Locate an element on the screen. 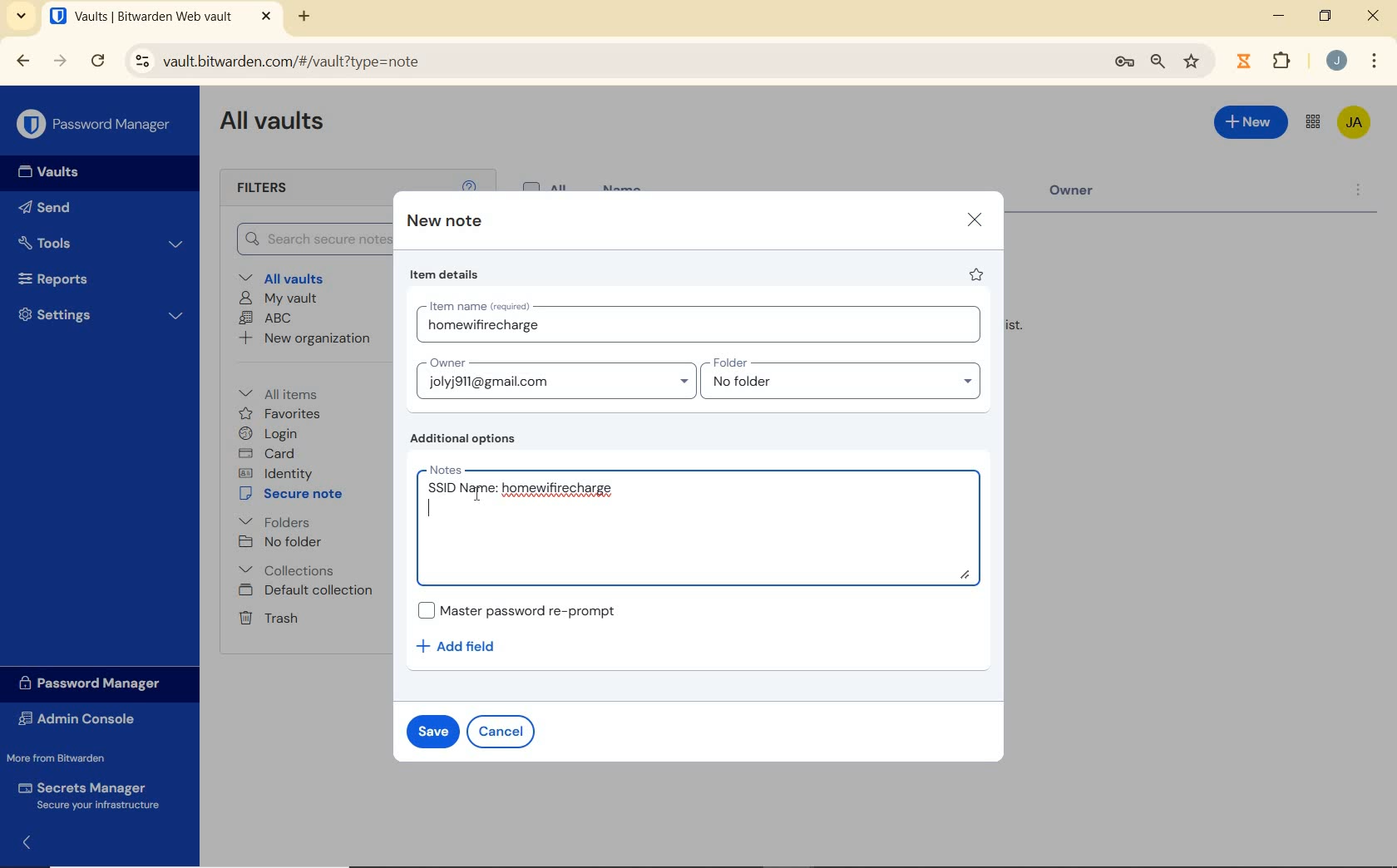 The height and width of the screenshot is (868, 1397). Default collection is located at coordinates (308, 591).